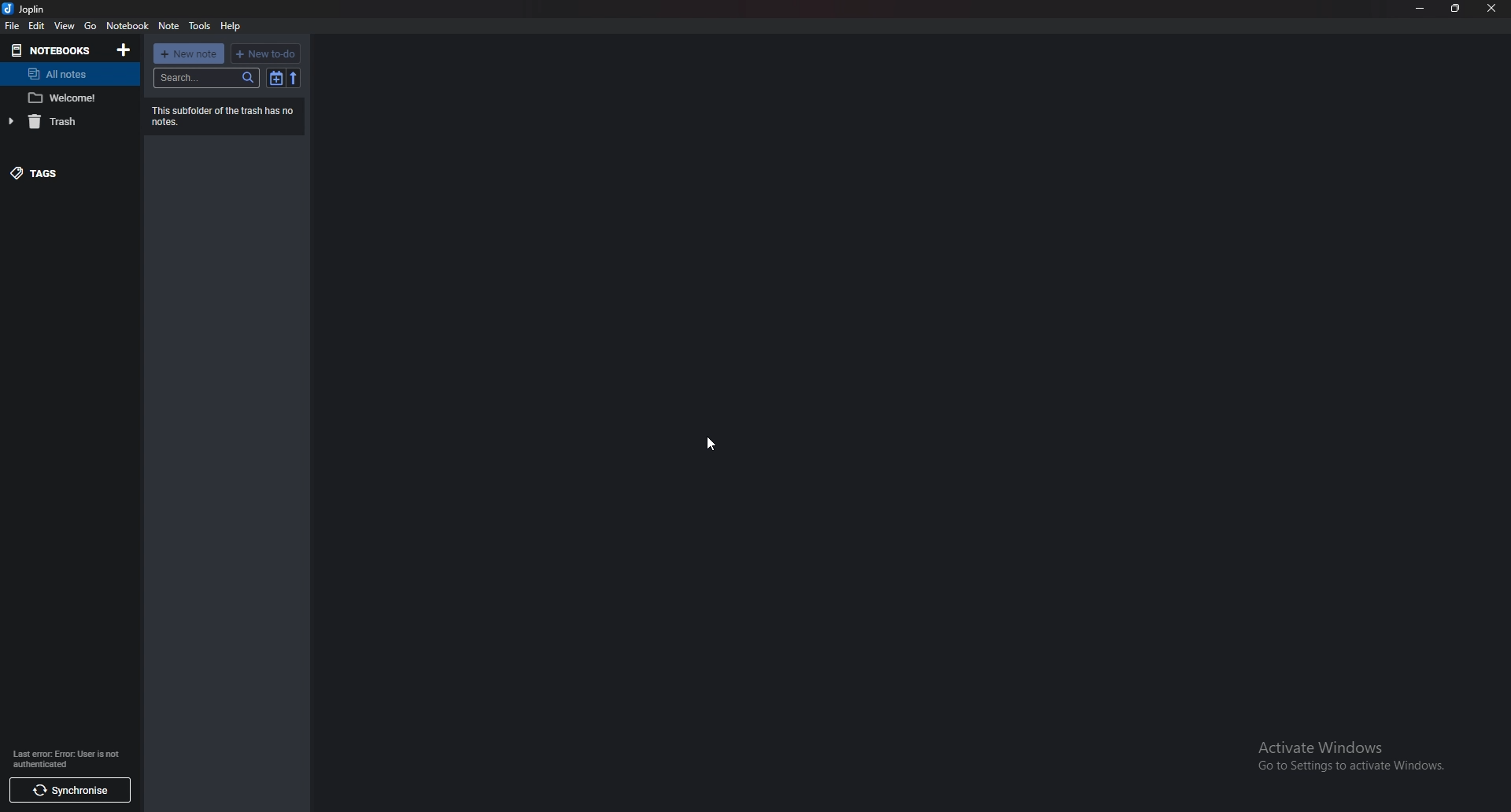 The width and height of the screenshot is (1511, 812). I want to click on Notebooks, so click(54, 50).